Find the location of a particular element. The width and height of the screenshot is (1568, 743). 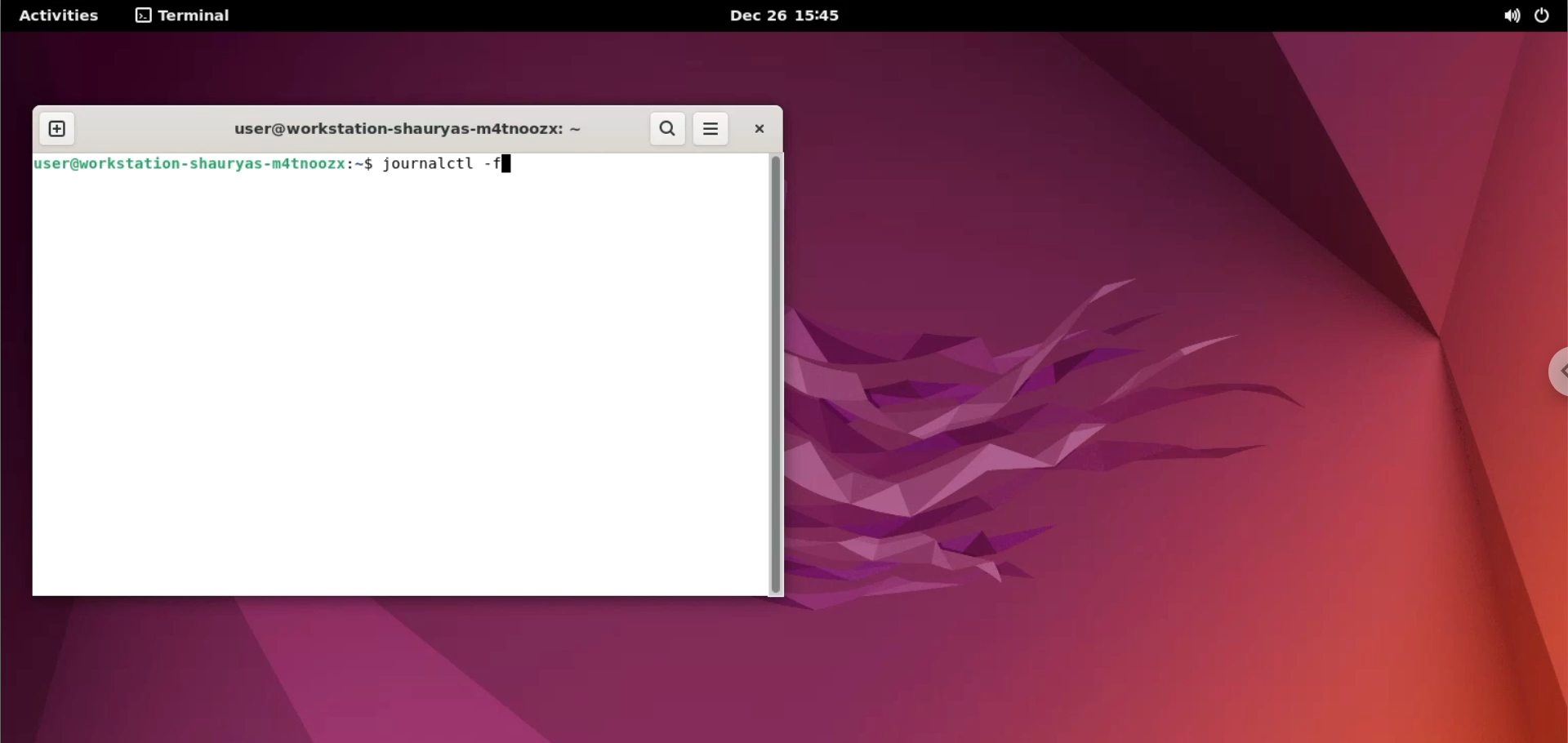

user@workstation-shaurya-m4tnoozx:~$ is located at coordinates (205, 166).